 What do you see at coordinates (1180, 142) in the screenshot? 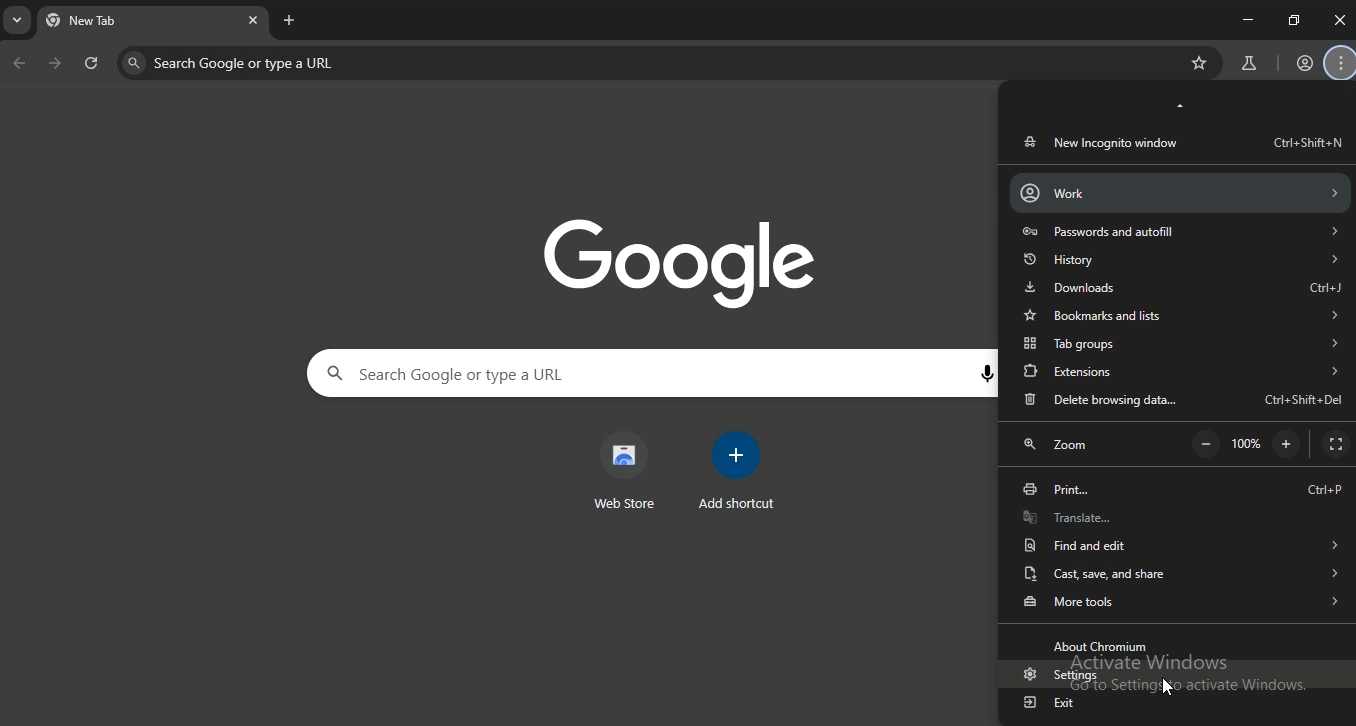
I see `new incognito window` at bounding box center [1180, 142].